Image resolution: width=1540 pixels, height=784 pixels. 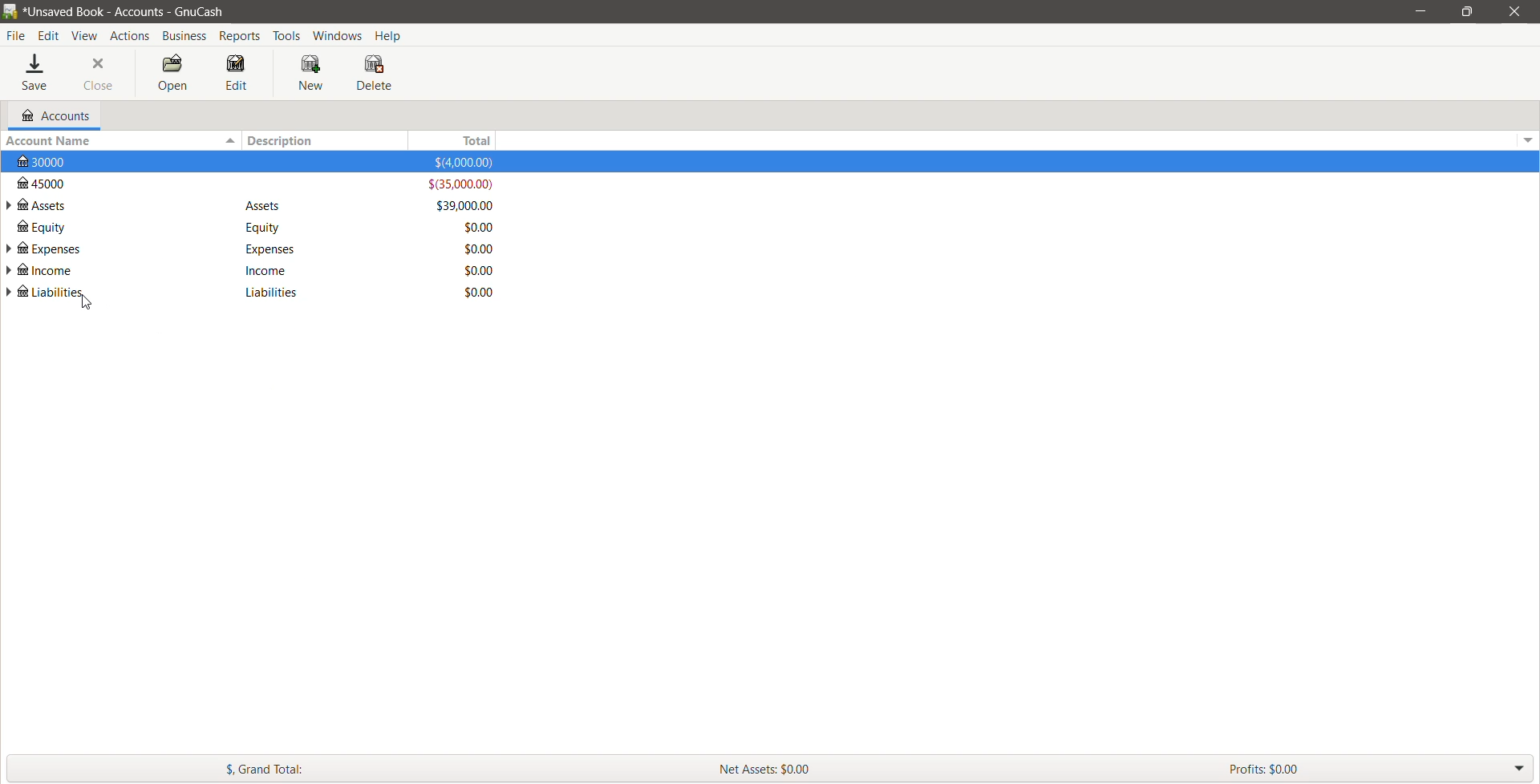 What do you see at coordinates (258, 163) in the screenshot?
I see `details of the account "30000"` at bounding box center [258, 163].